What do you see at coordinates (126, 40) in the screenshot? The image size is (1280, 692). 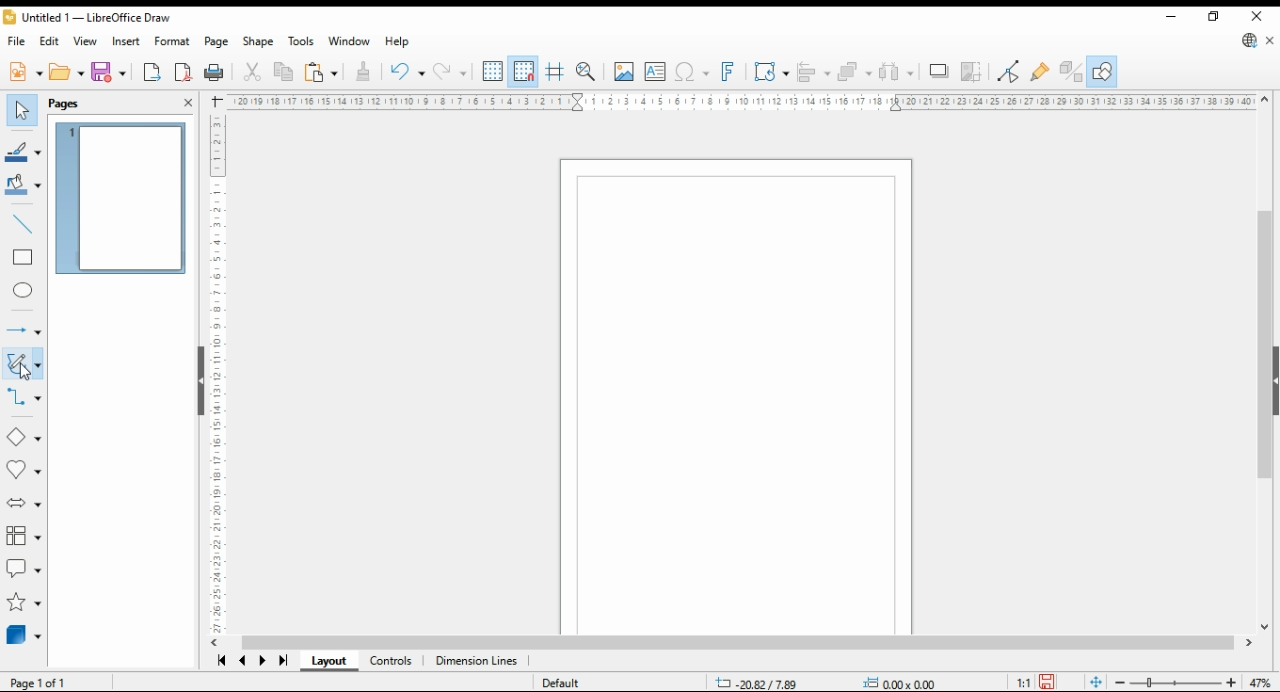 I see `insert` at bounding box center [126, 40].